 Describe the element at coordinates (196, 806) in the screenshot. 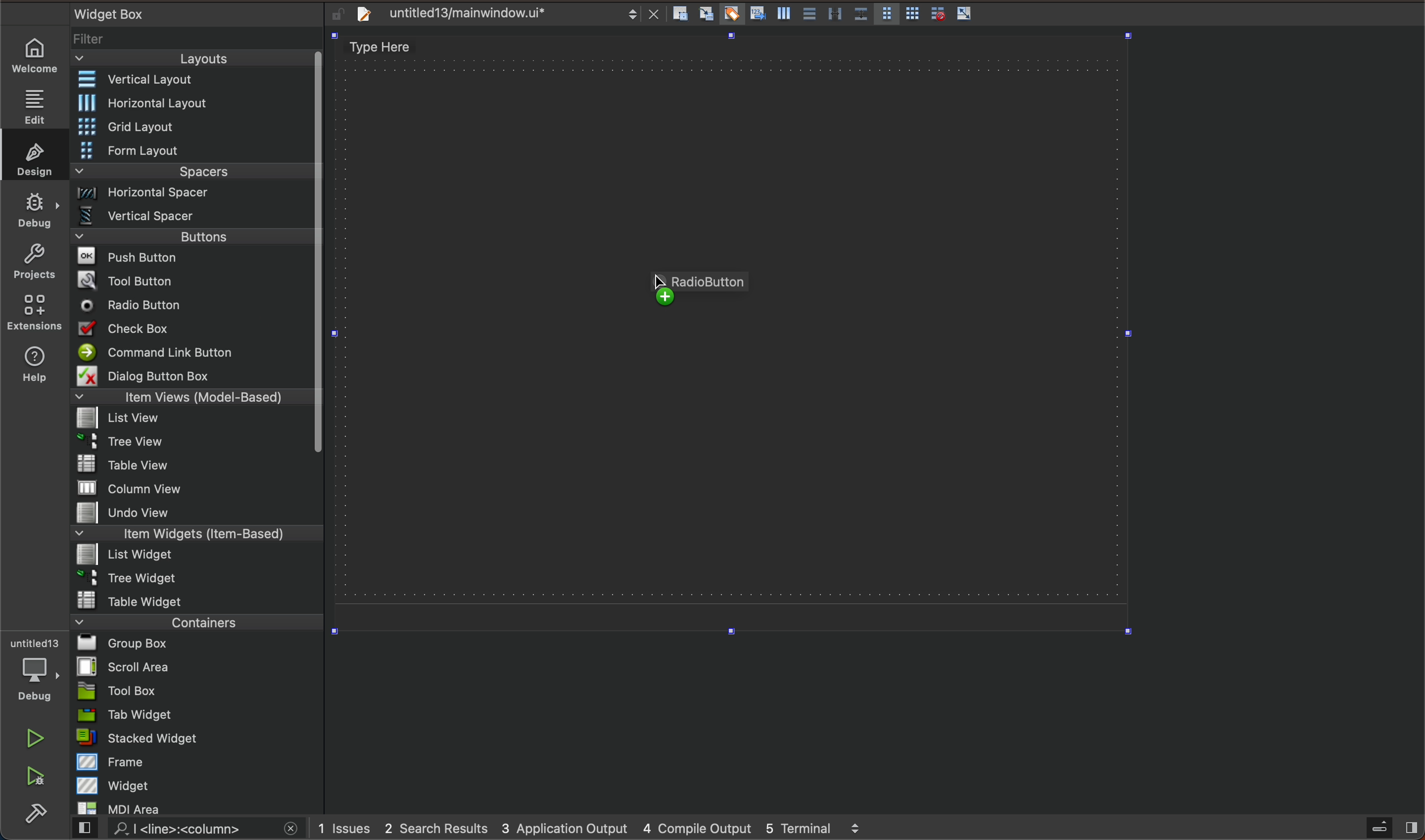

I see `mdi area` at that location.